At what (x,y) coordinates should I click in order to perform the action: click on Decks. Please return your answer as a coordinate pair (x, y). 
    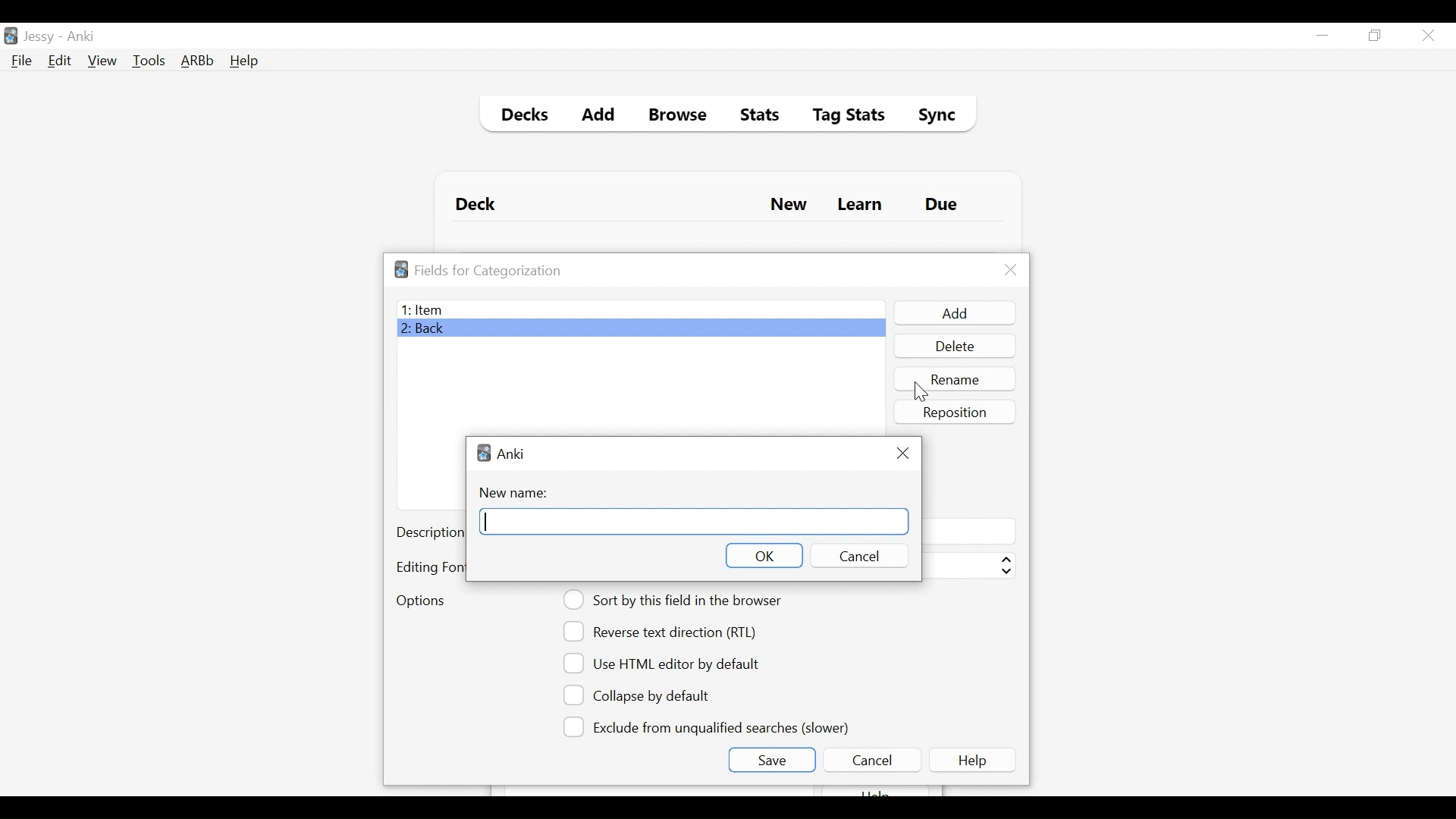
    Looking at the image, I should click on (521, 117).